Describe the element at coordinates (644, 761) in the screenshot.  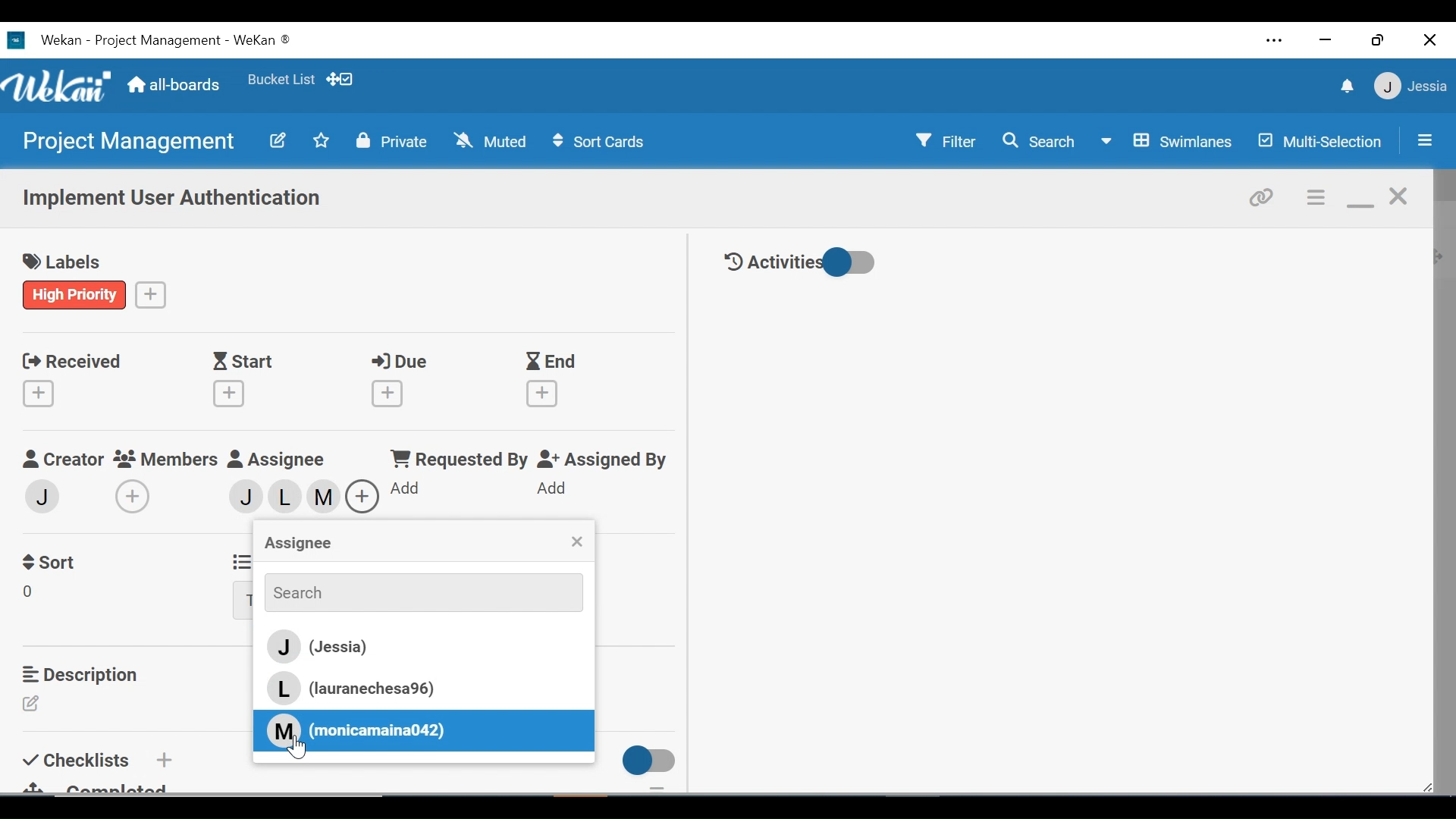
I see `Taggle on /off` at that location.